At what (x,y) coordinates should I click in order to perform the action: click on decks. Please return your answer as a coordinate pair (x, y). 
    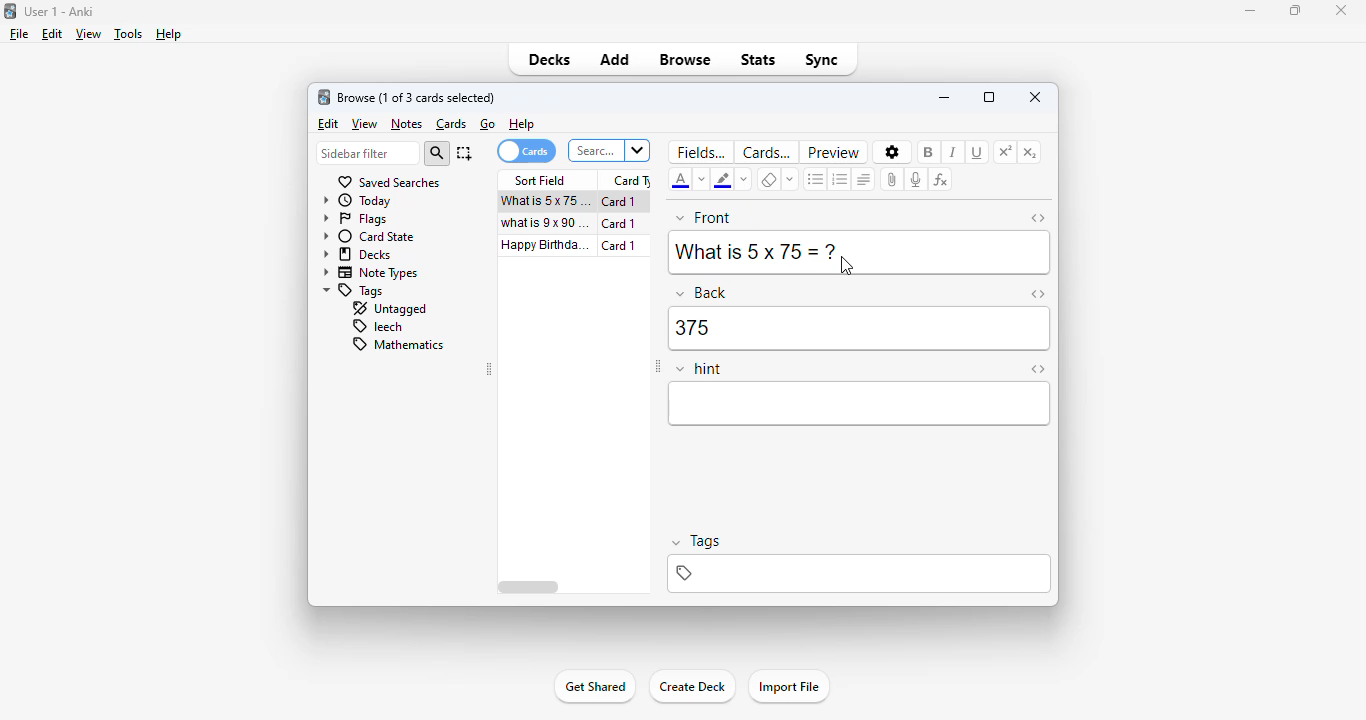
    Looking at the image, I should click on (356, 254).